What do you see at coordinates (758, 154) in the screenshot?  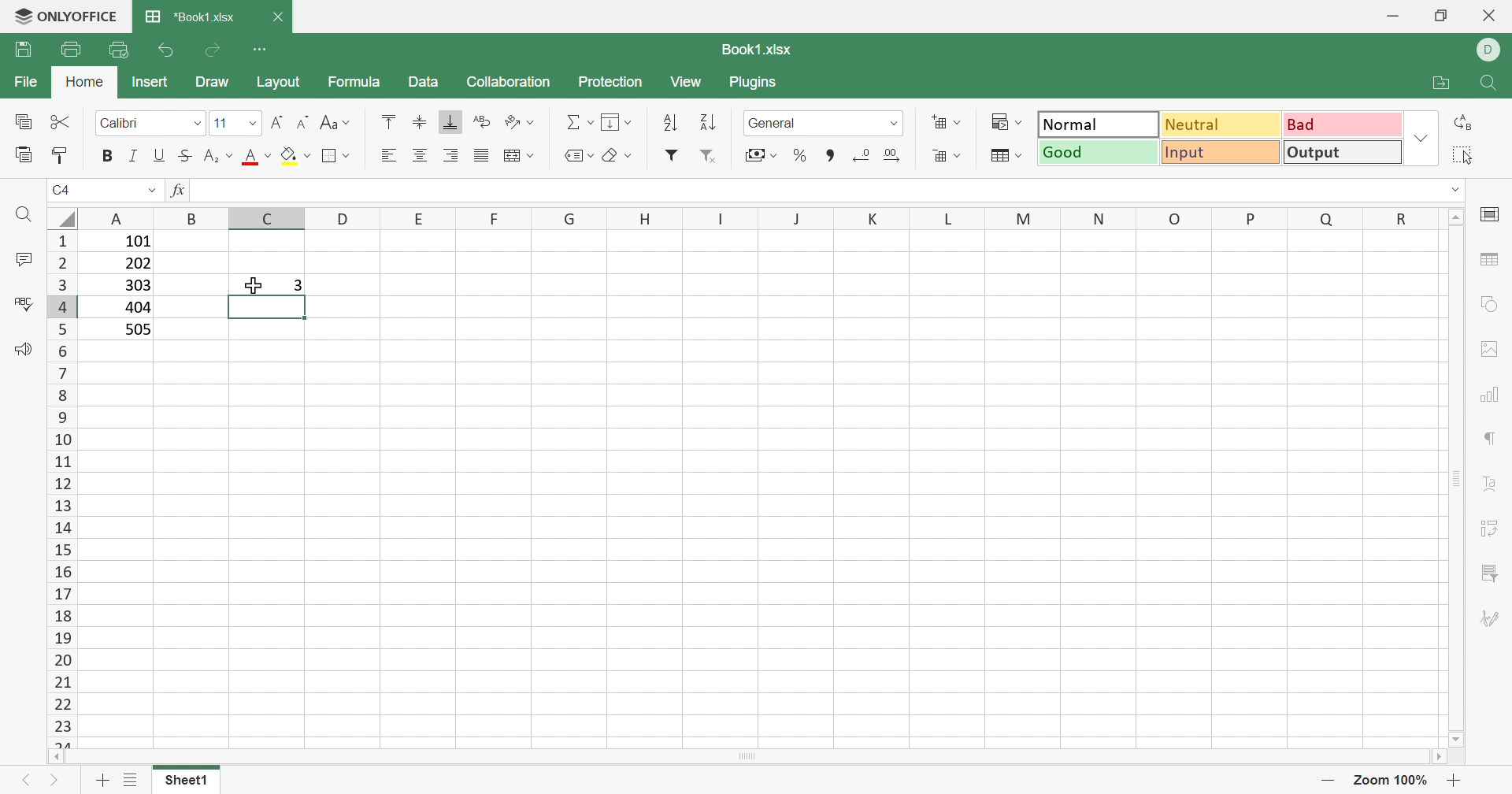 I see `Currency style` at bounding box center [758, 154].